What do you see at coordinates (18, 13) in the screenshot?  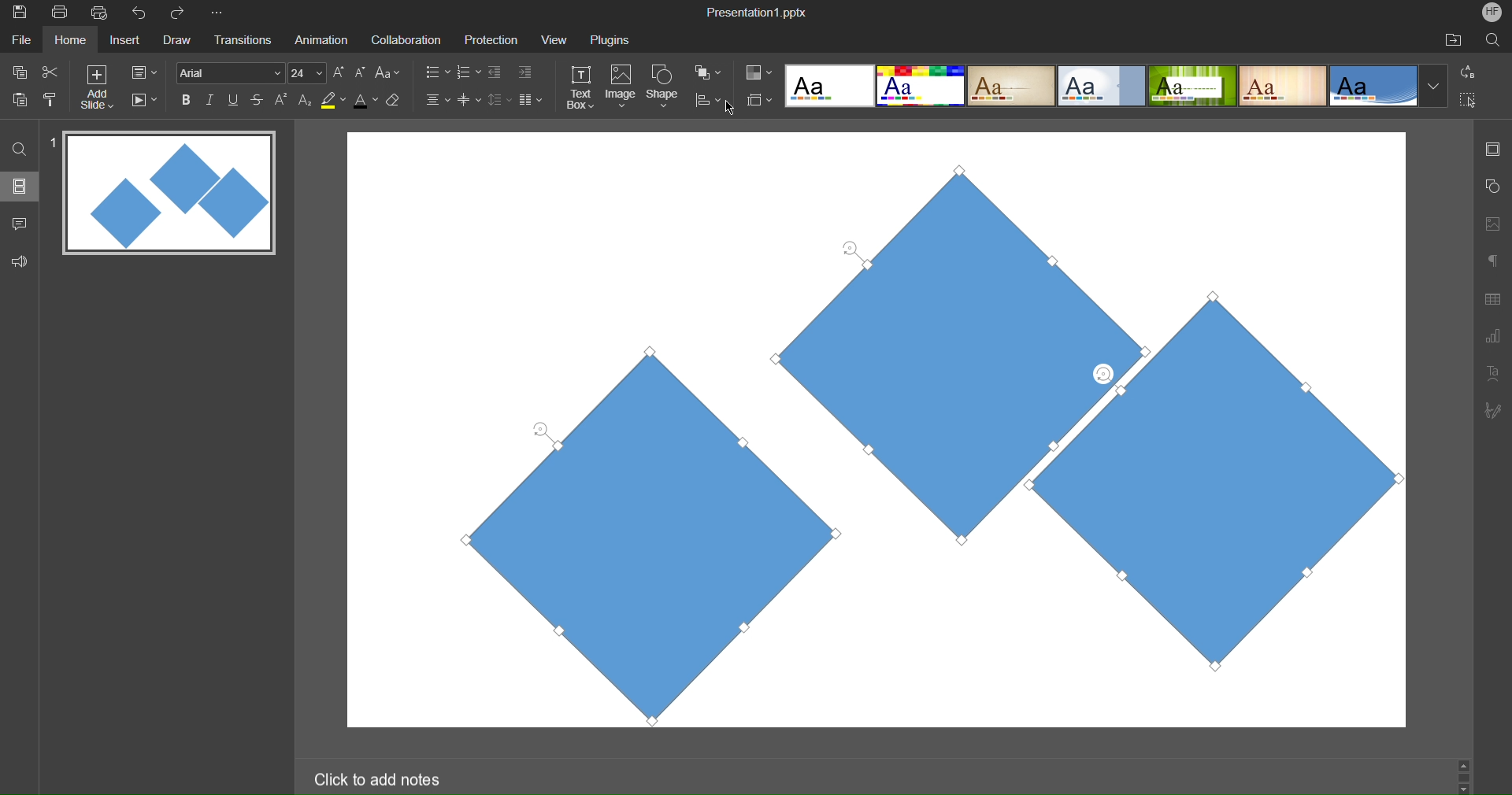 I see `Save` at bounding box center [18, 13].